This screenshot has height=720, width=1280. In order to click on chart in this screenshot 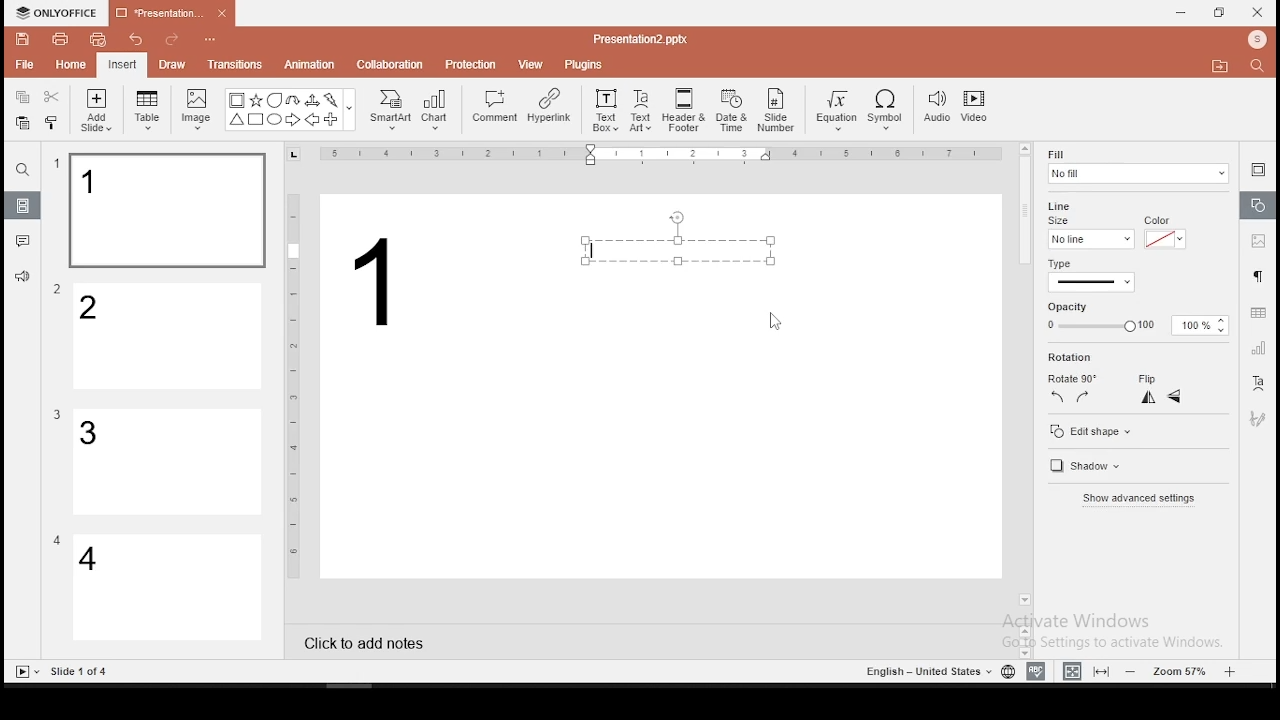, I will do `click(436, 109)`.